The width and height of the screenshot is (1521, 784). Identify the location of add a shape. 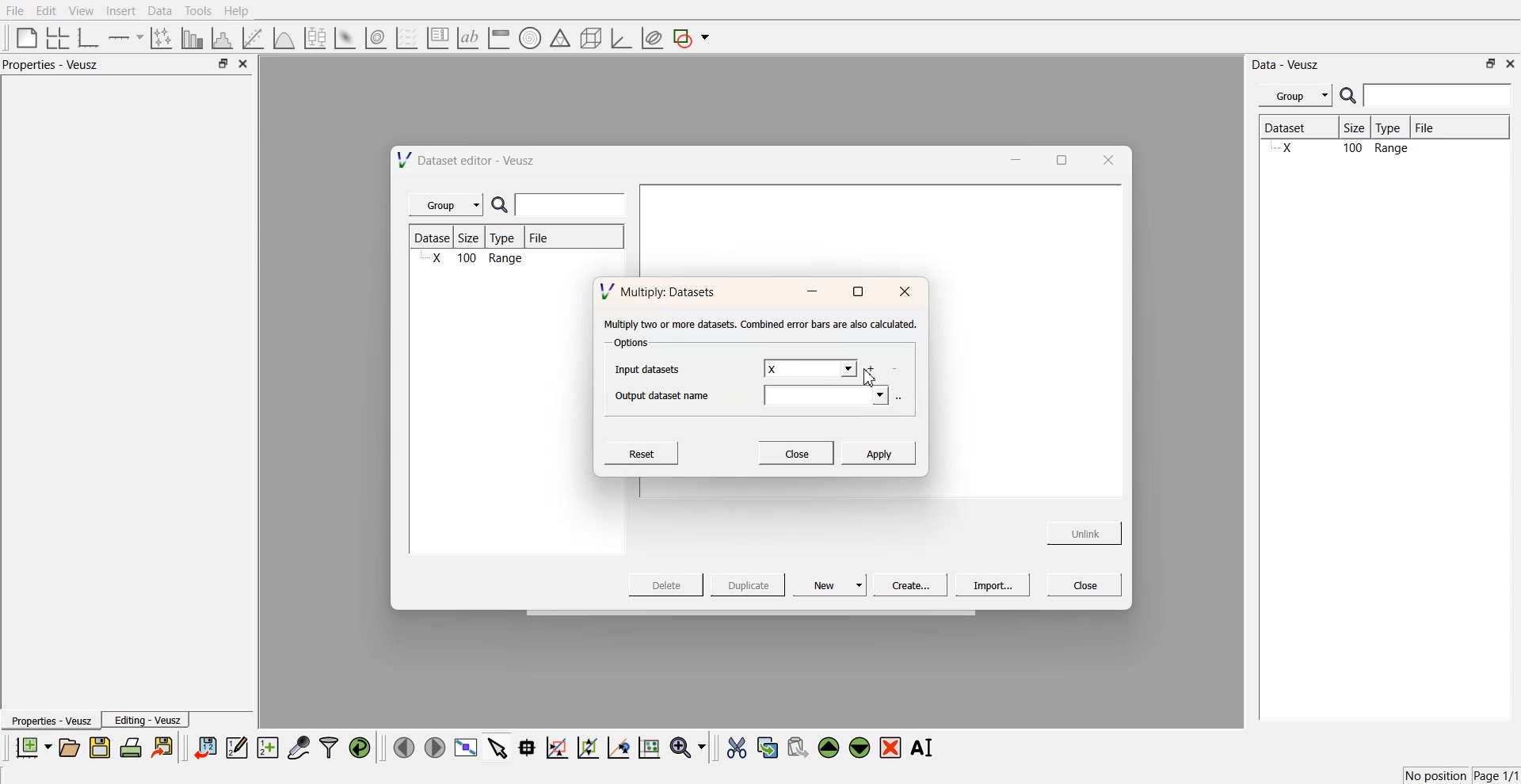
(692, 39).